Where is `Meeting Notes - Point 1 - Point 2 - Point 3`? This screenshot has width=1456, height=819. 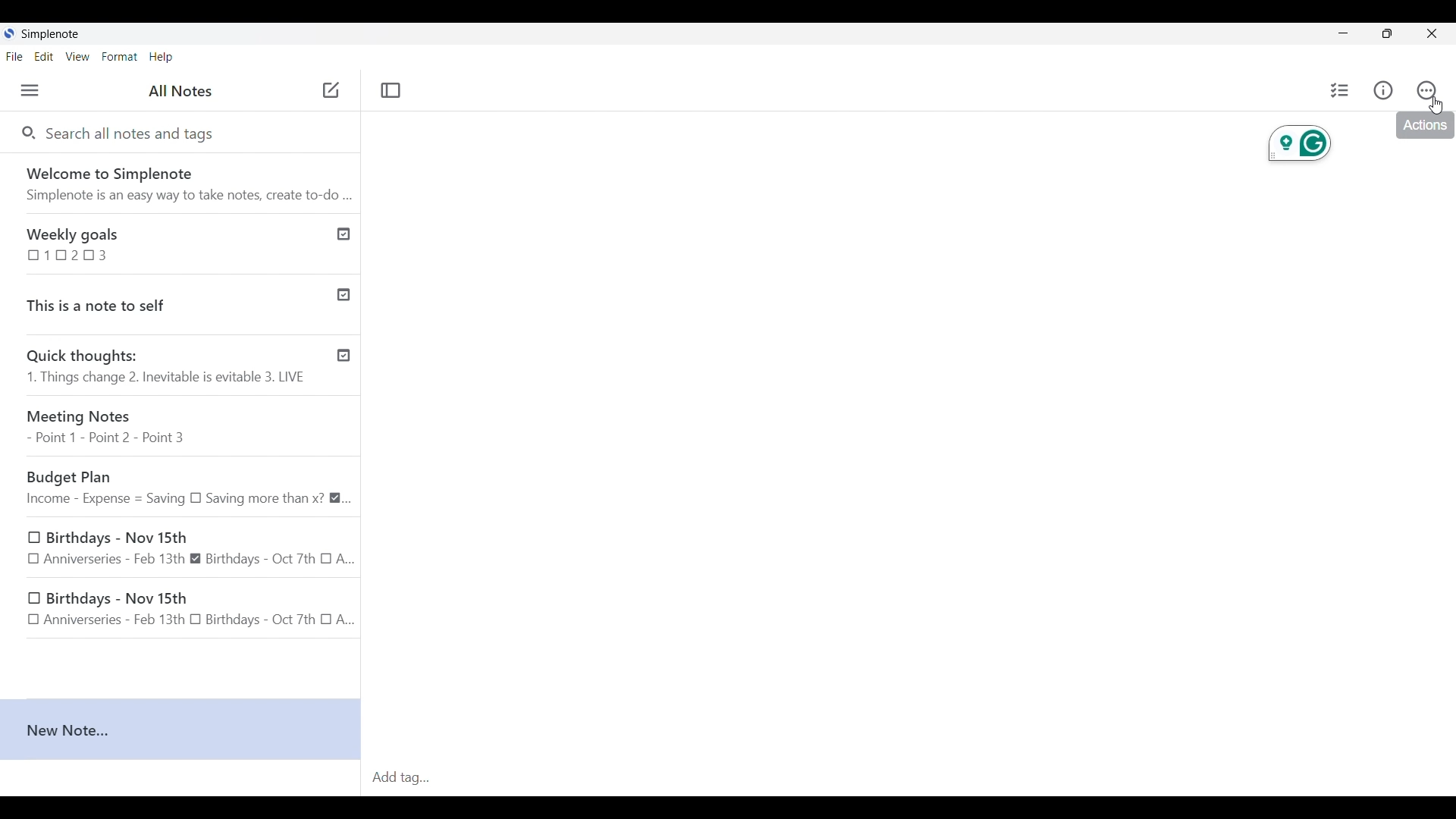
Meeting Notes - Point 1 - Point 2 - Point 3 is located at coordinates (186, 428).